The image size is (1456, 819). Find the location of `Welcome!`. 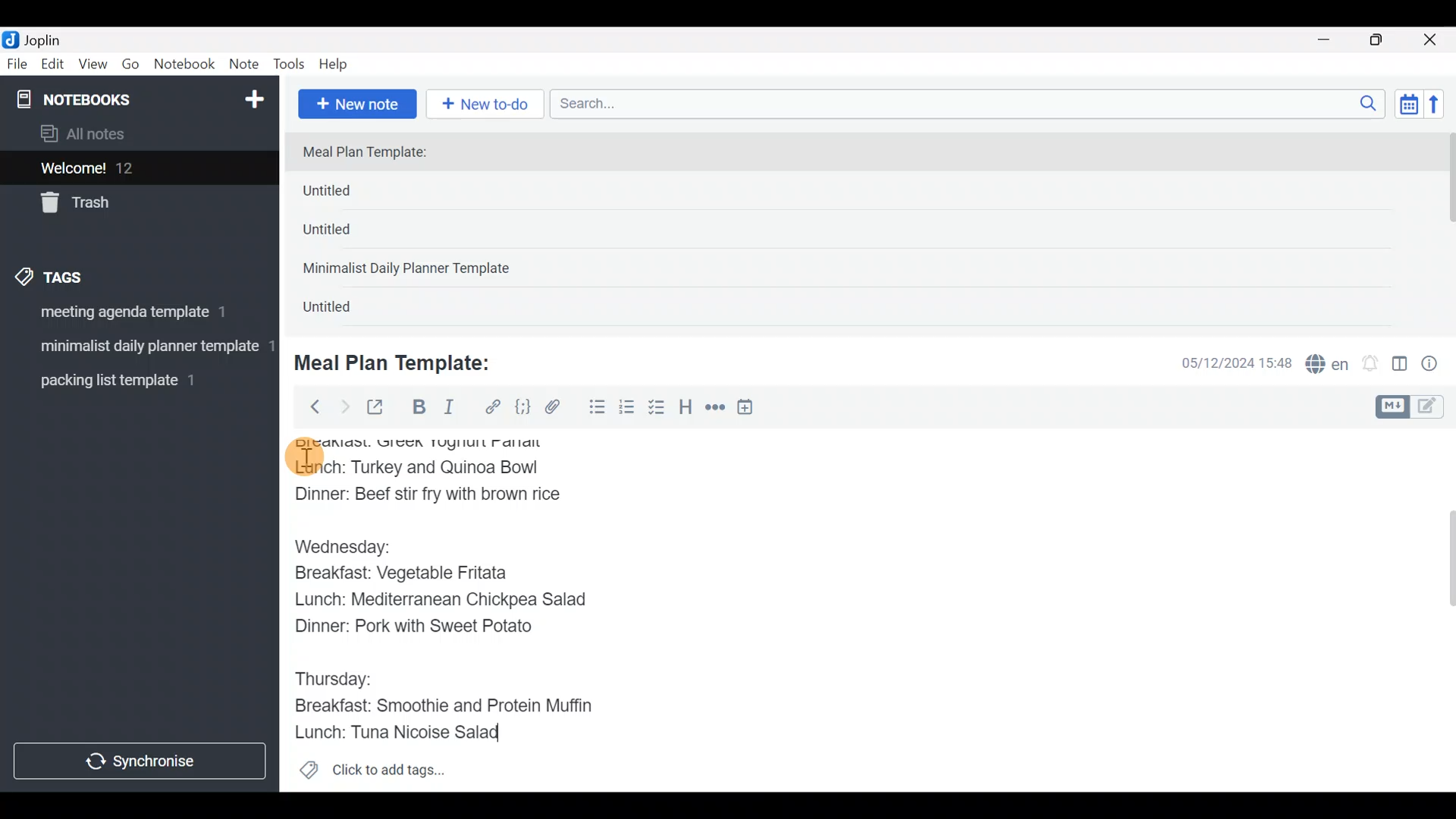

Welcome! is located at coordinates (137, 169).